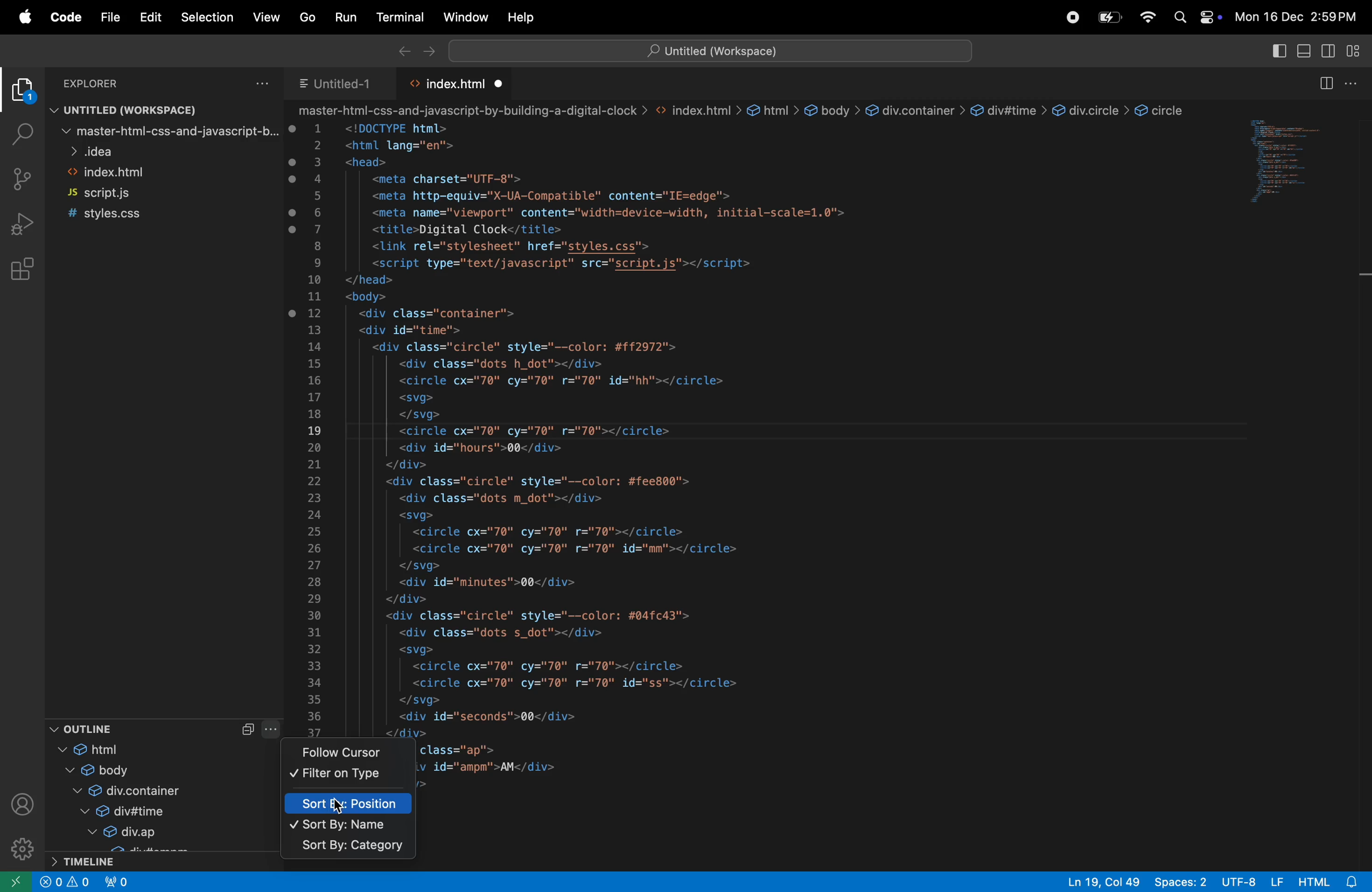 The height and width of the screenshot is (892, 1372). I want to click on Collapse , so click(248, 730).